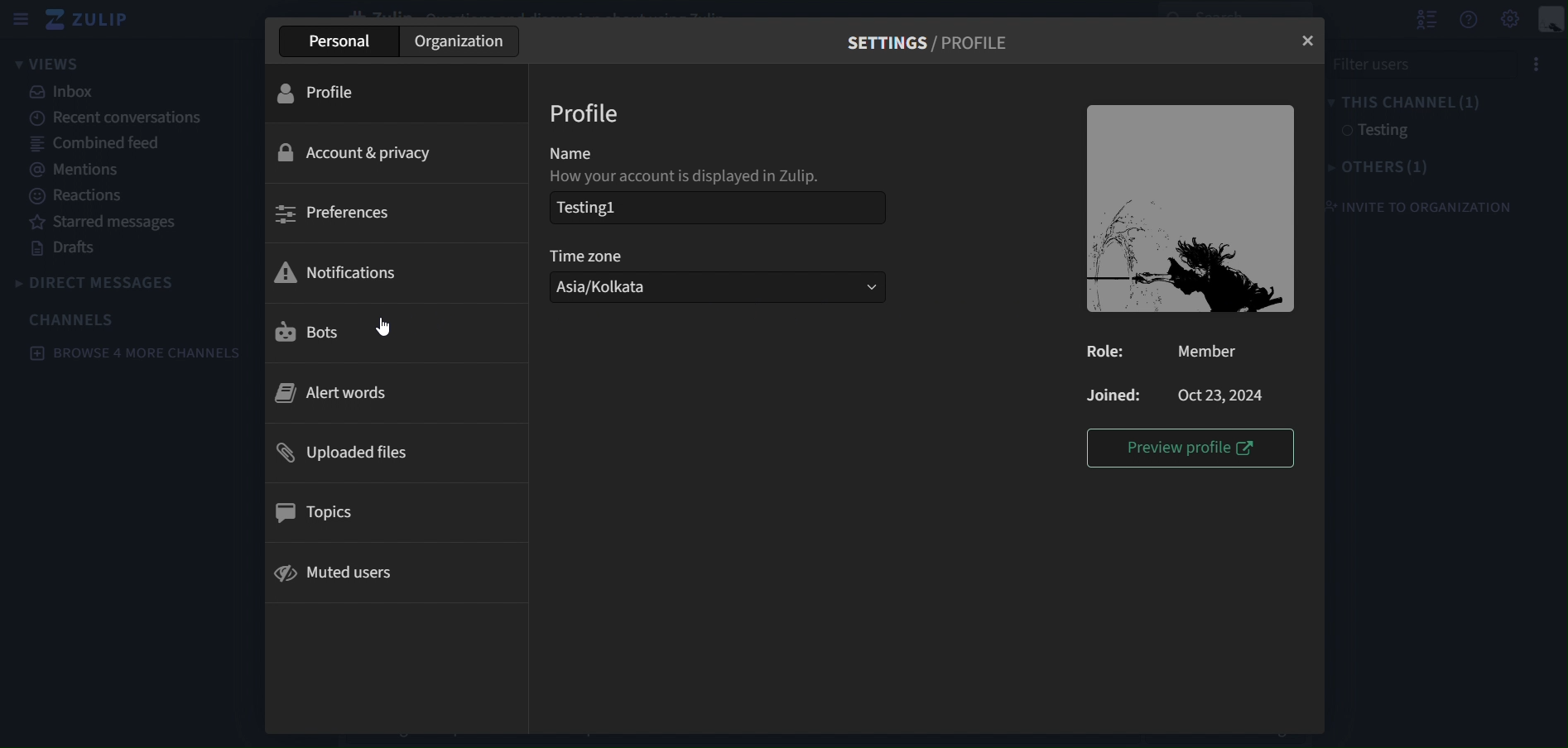 The height and width of the screenshot is (748, 1568). I want to click on organisation, so click(462, 41).